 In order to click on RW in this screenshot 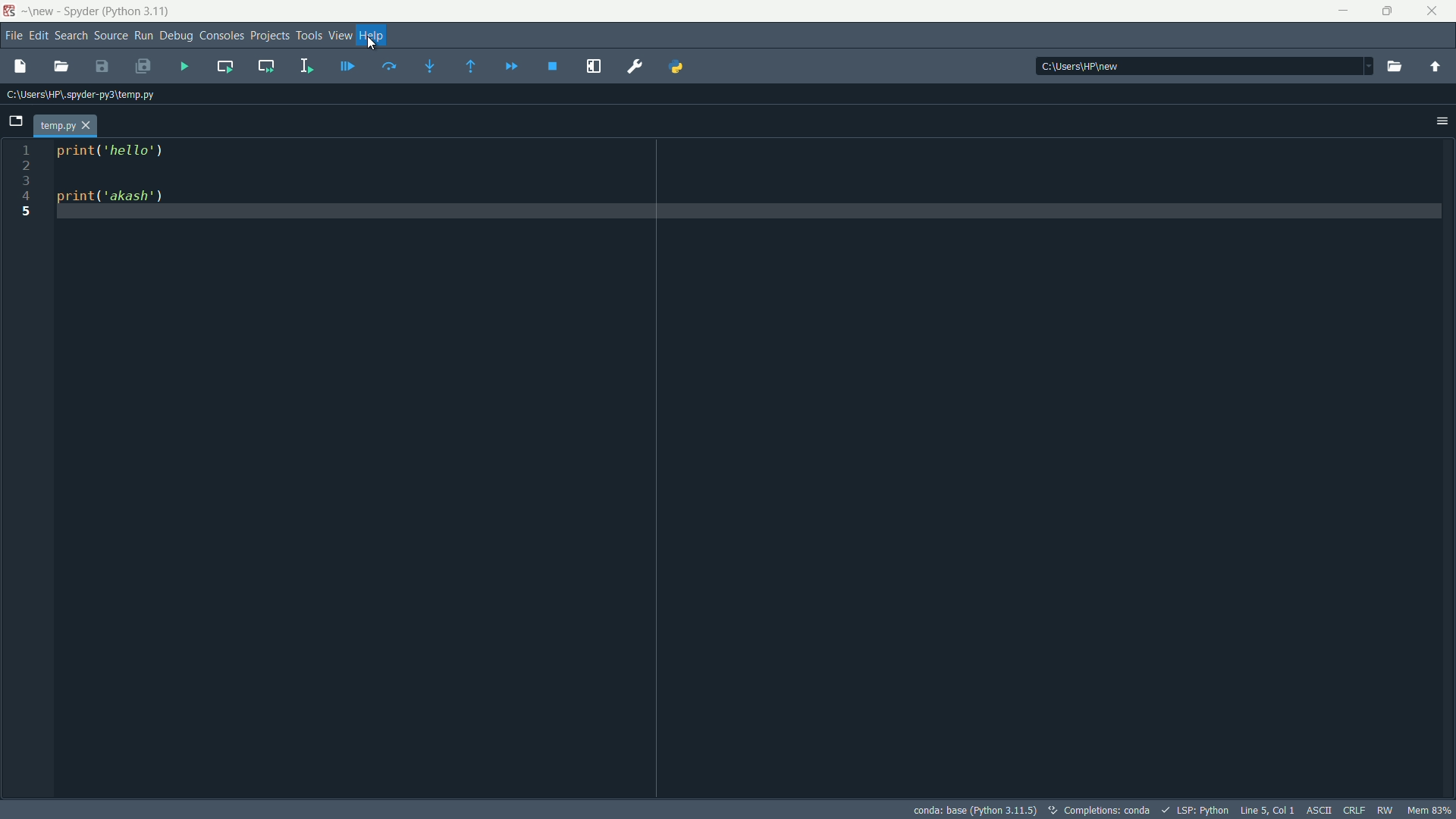, I will do `click(1386, 810)`.